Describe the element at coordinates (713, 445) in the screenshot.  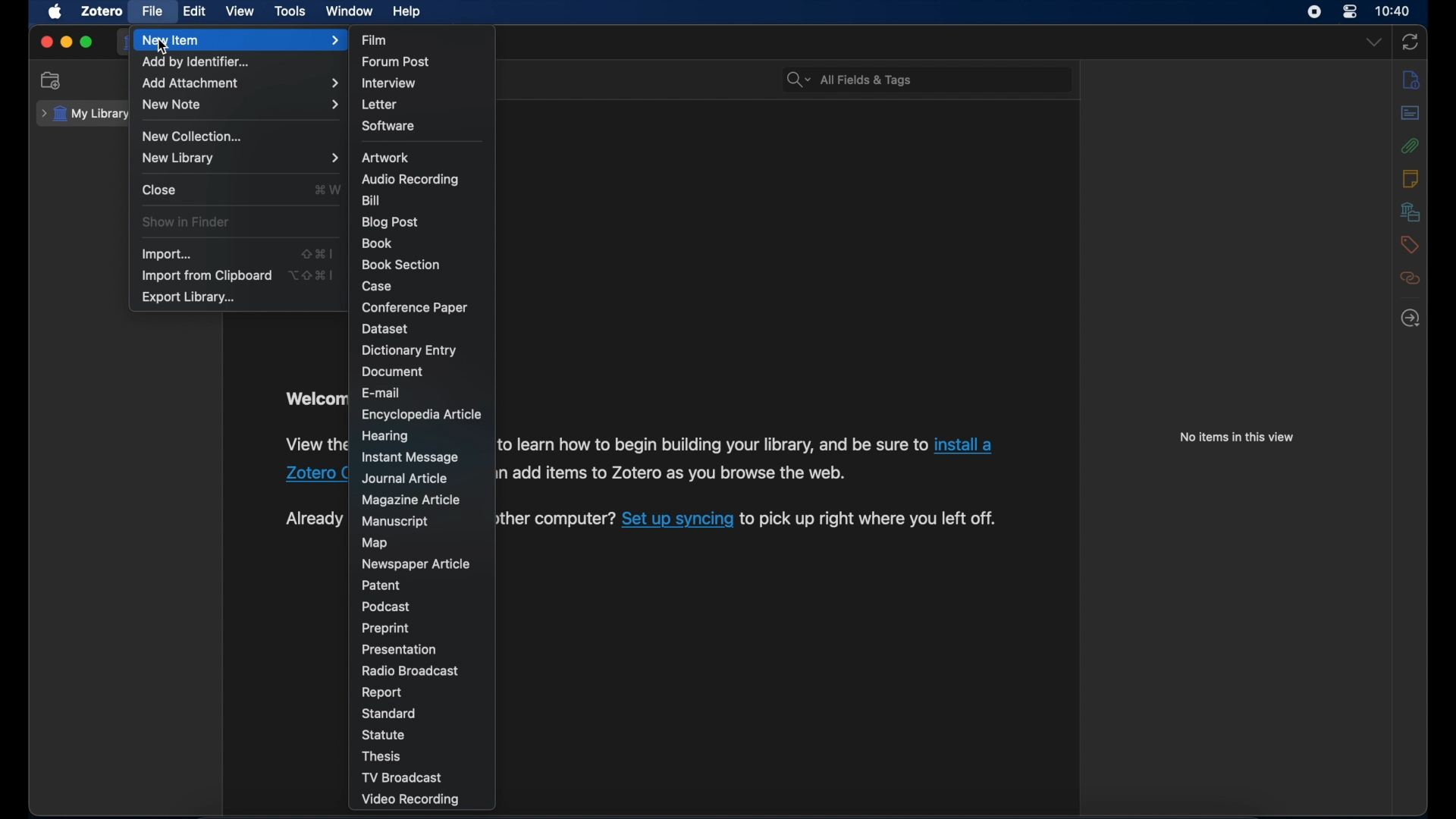
I see `to learn how to begin building your library, and be sure to` at that location.